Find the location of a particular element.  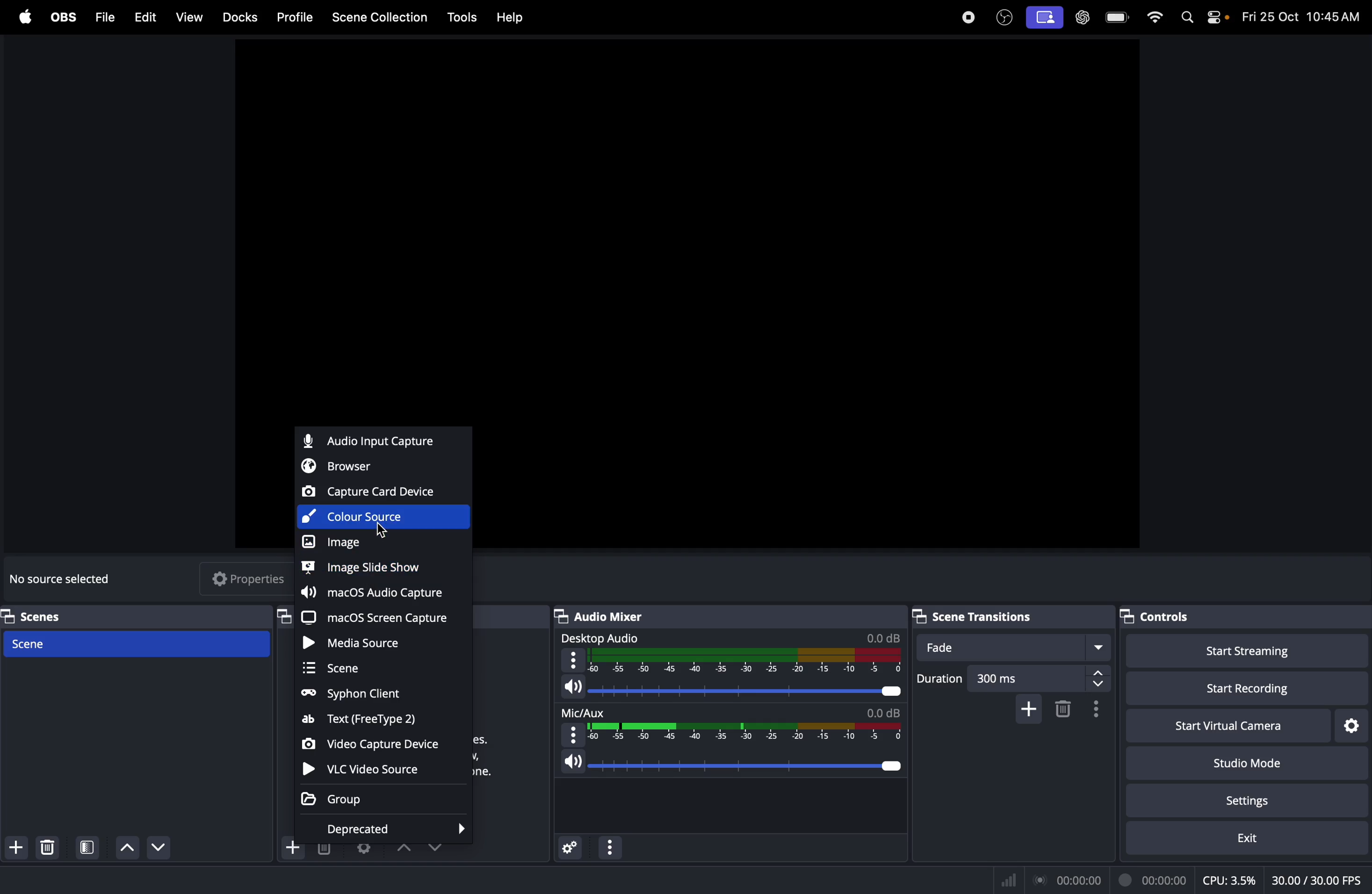

chat gpt is located at coordinates (1081, 18).